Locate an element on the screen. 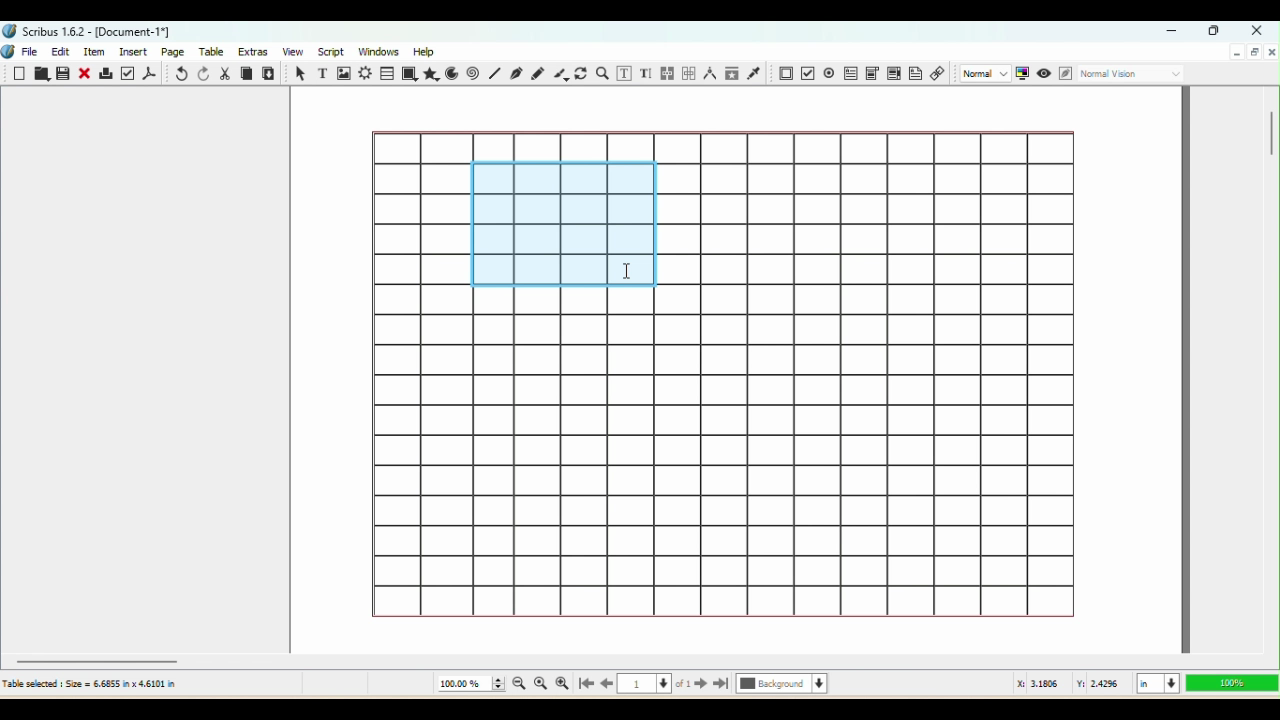 The image size is (1280, 720). Image frame is located at coordinates (343, 73).